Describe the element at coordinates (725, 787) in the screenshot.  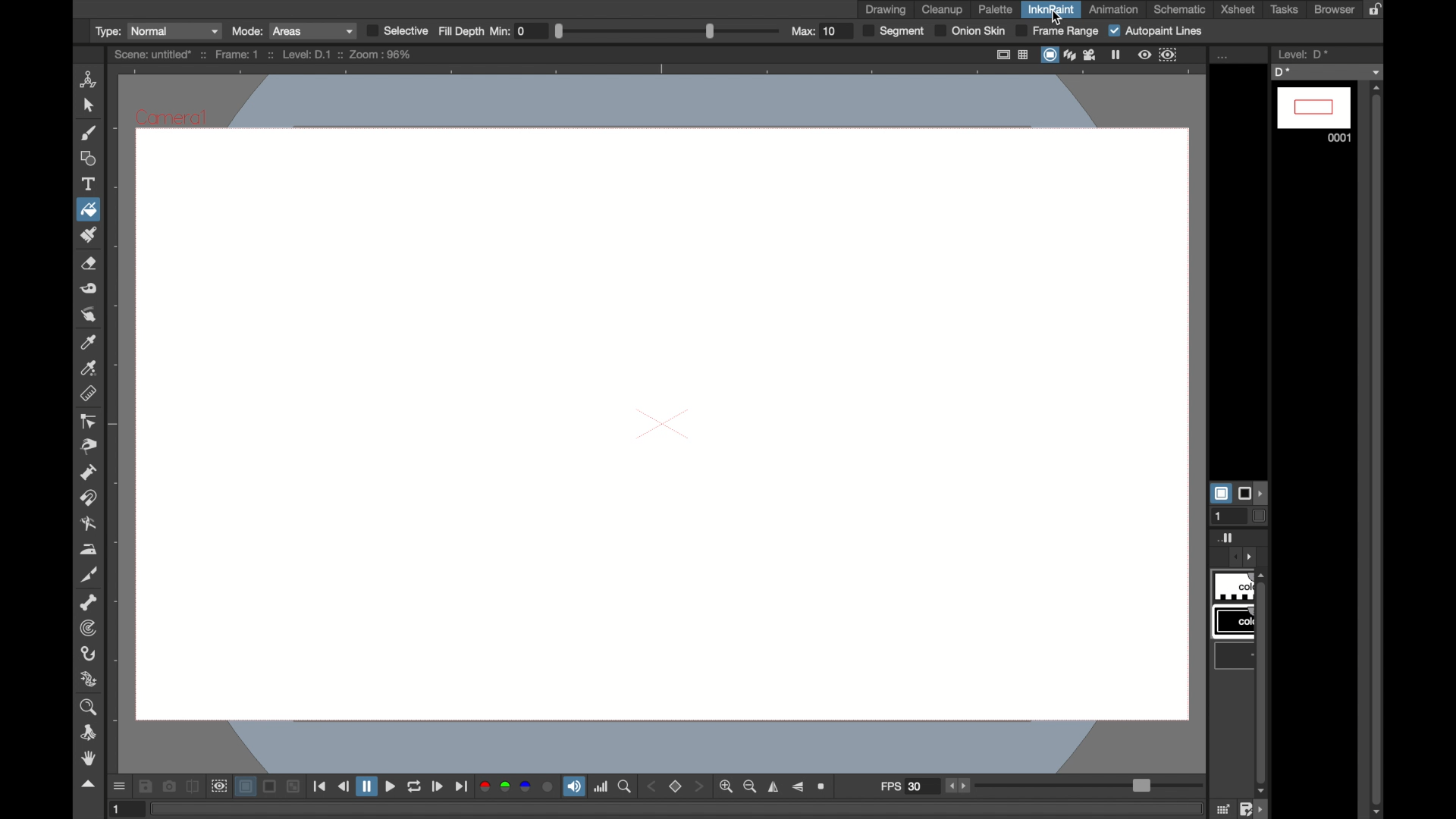
I see `zoom in` at that location.